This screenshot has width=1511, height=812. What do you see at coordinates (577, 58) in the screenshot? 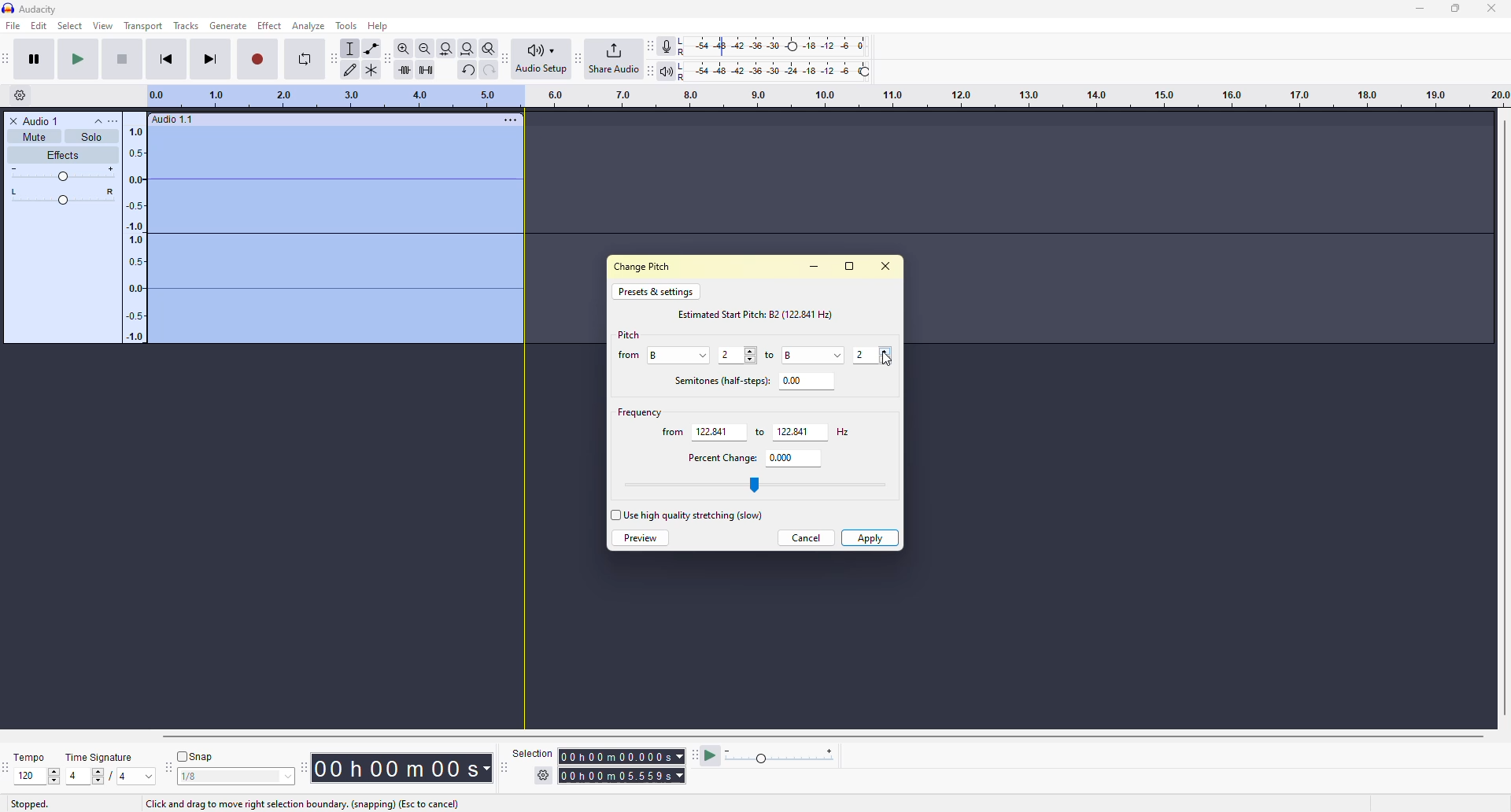
I see `share audio toolbar` at bounding box center [577, 58].